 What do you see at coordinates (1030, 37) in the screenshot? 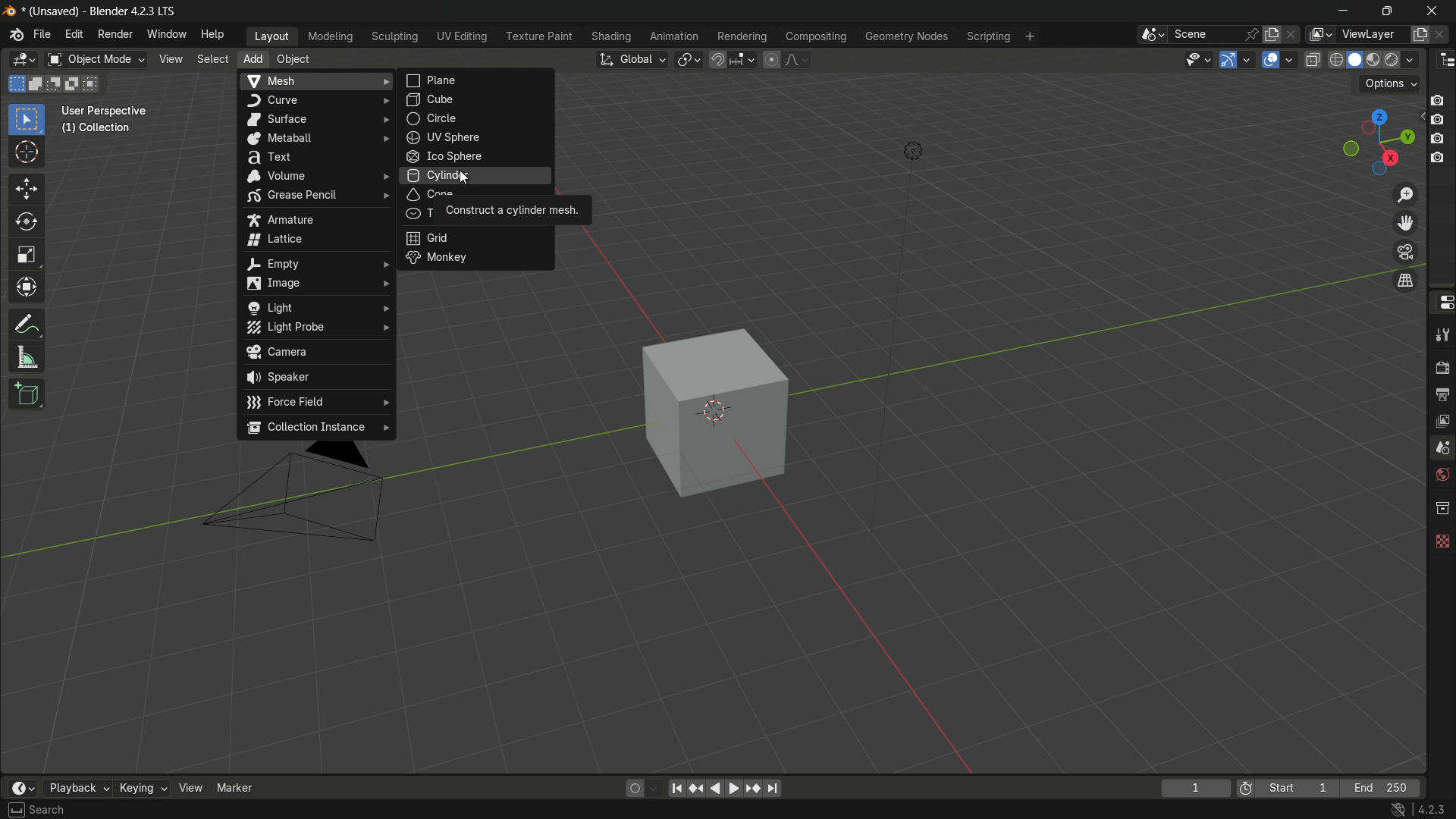
I see `add workplace` at bounding box center [1030, 37].